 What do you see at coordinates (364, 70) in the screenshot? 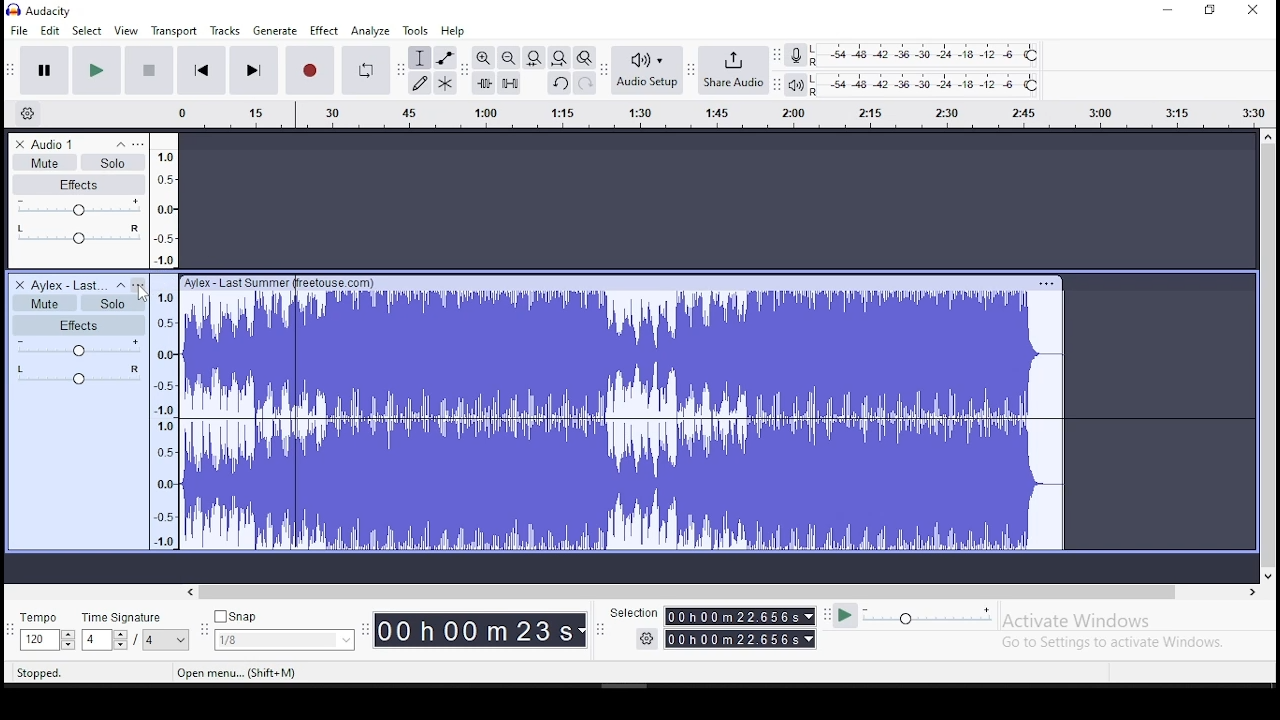
I see `enable/disable looping` at bounding box center [364, 70].